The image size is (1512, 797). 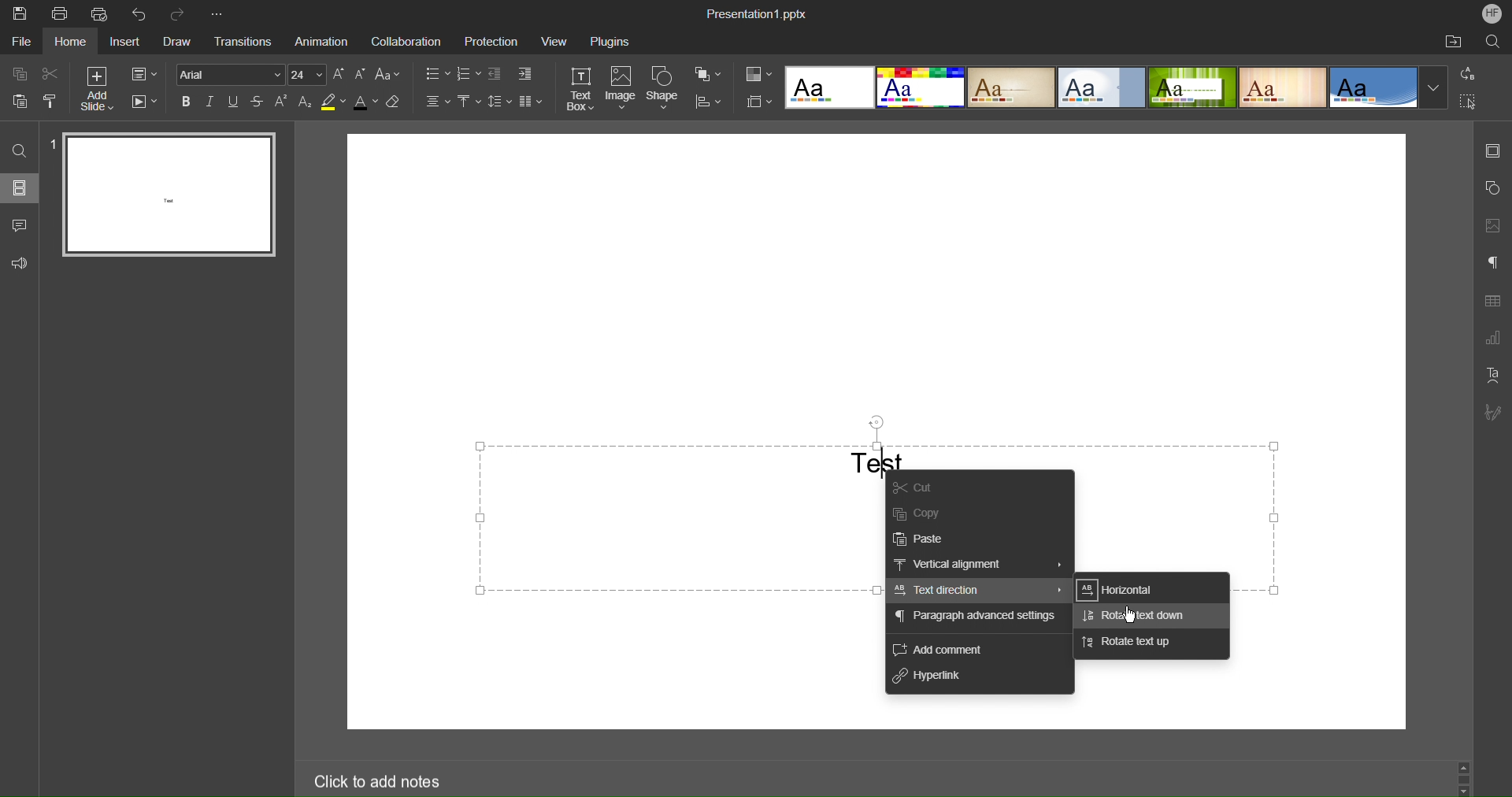 What do you see at coordinates (1124, 590) in the screenshot?
I see `Horizontal` at bounding box center [1124, 590].